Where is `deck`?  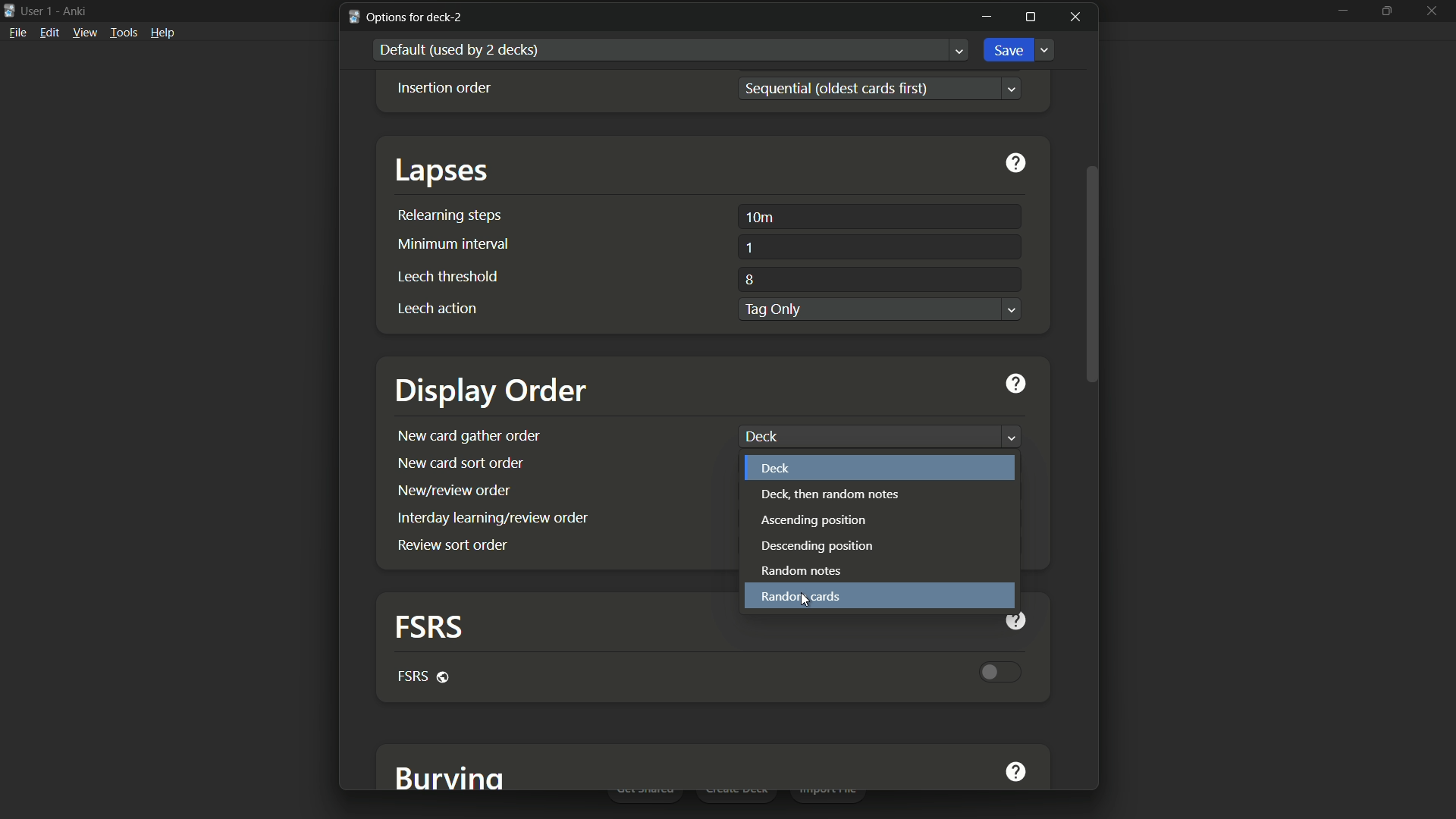
deck is located at coordinates (777, 468).